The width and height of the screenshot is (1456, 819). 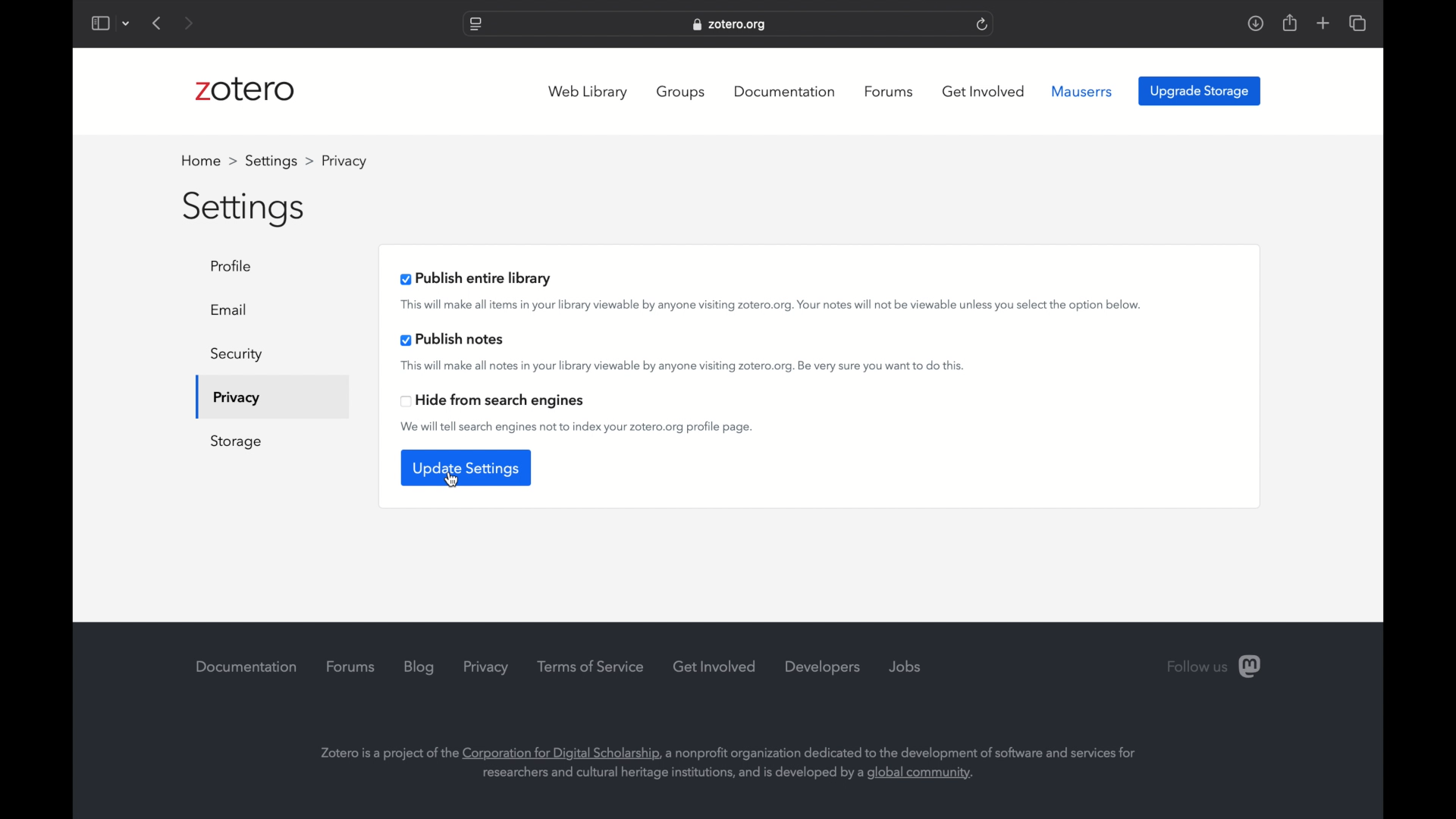 What do you see at coordinates (235, 399) in the screenshot?
I see `privacy` at bounding box center [235, 399].